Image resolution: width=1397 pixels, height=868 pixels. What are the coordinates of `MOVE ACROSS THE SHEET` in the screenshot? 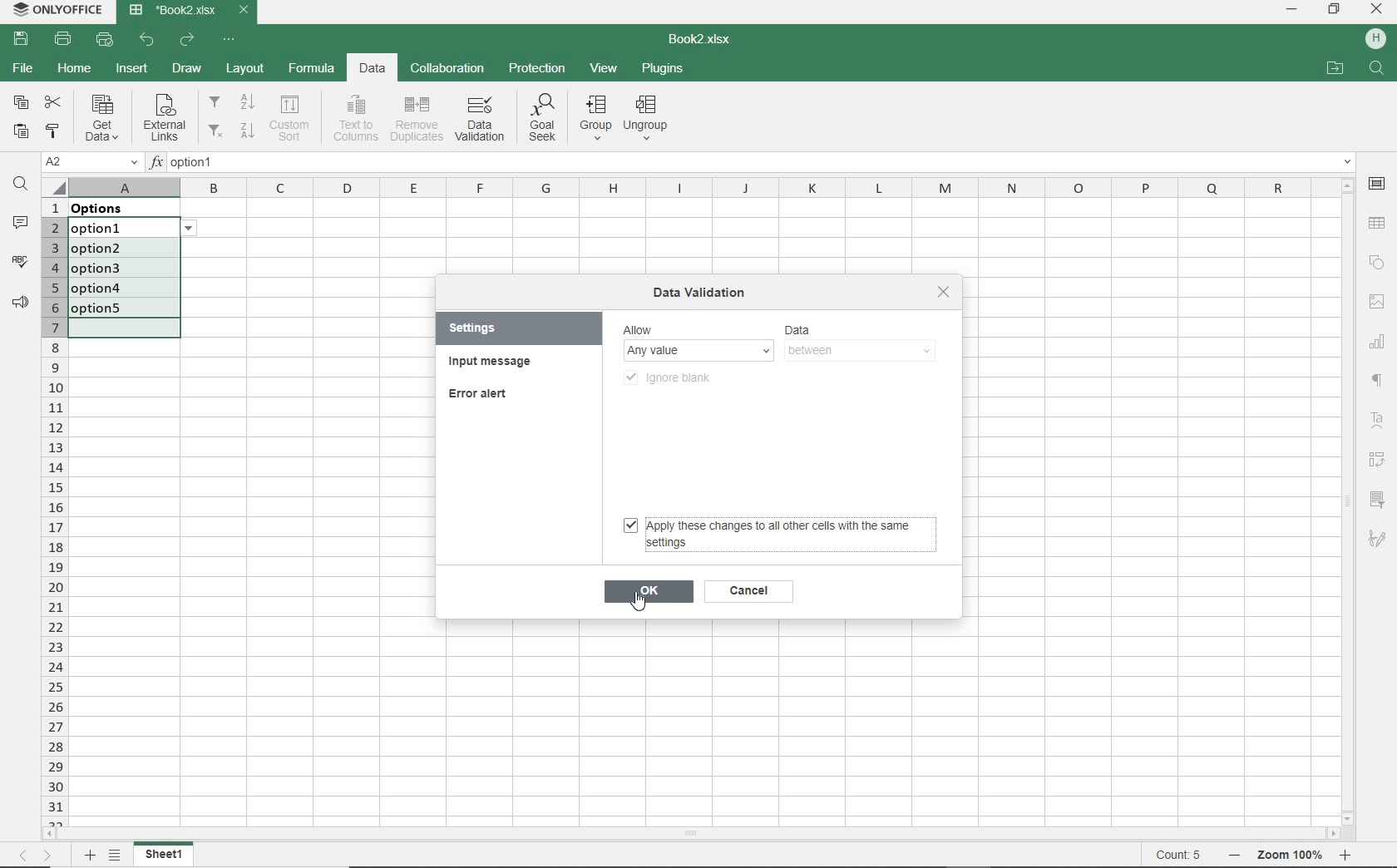 It's located at (36, 855).